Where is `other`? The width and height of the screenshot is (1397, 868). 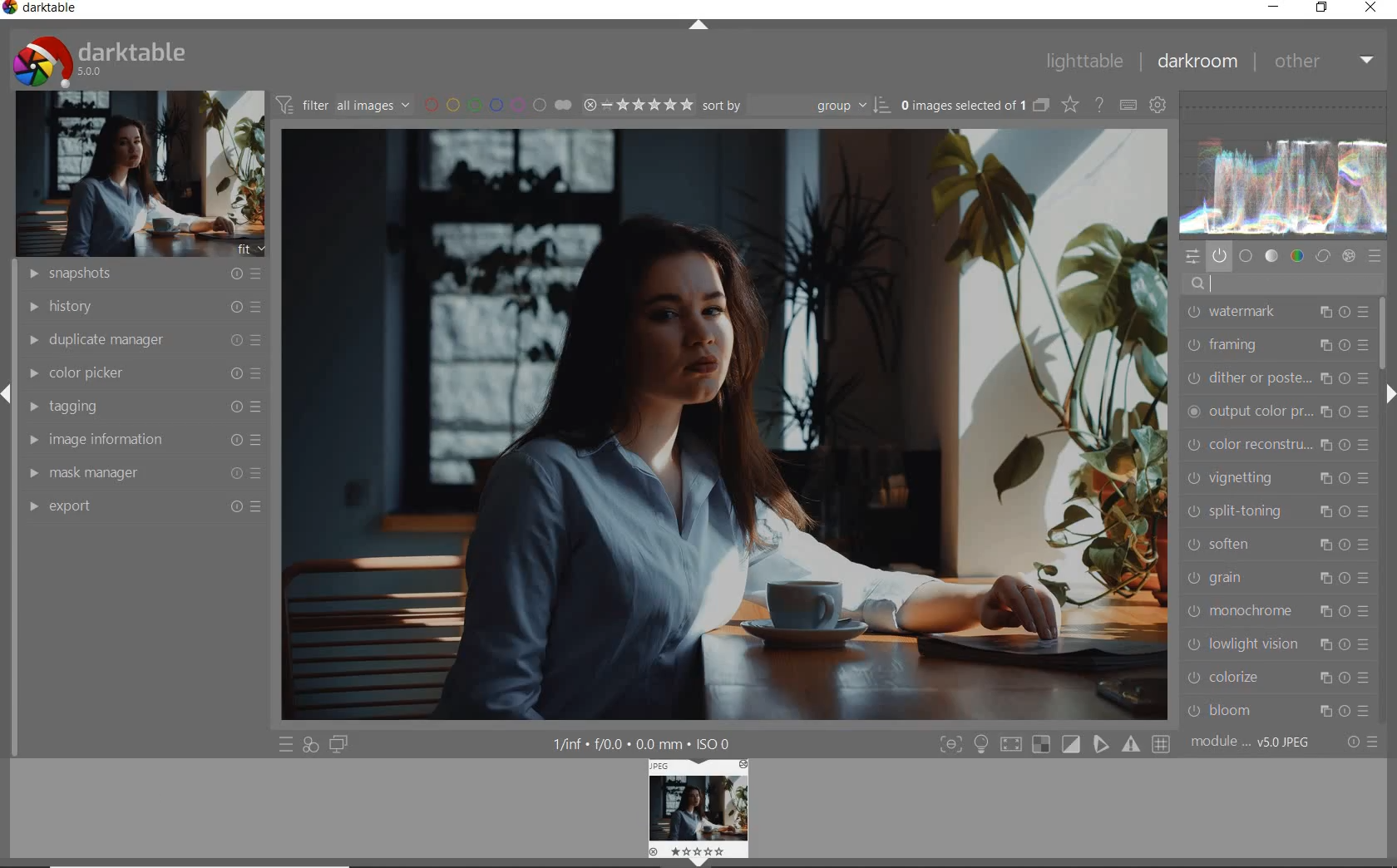 other is located at coordinates (1323, 61).